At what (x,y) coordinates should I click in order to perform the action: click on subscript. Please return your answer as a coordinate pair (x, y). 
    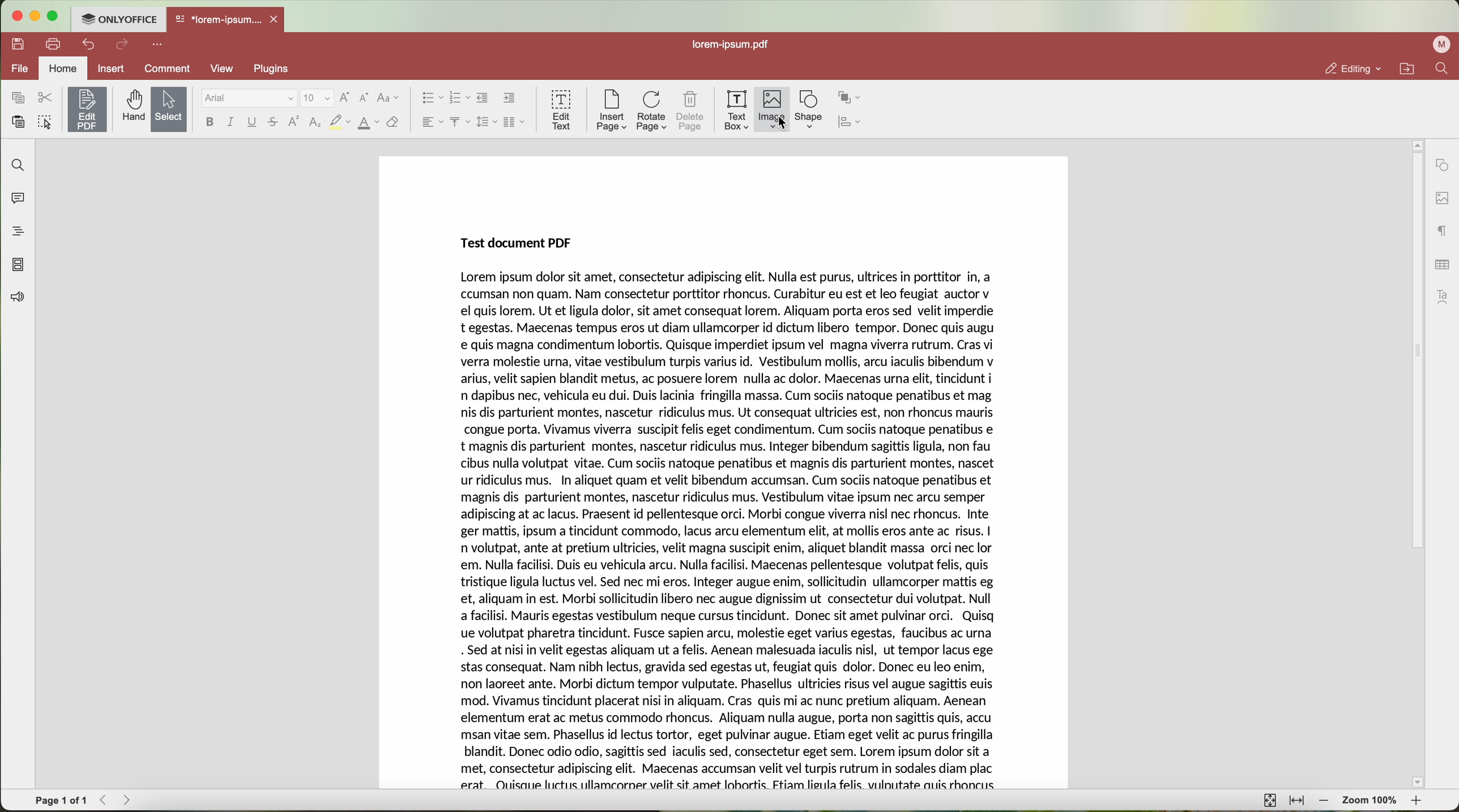
    Looking at the image, I should click on (316, 123).